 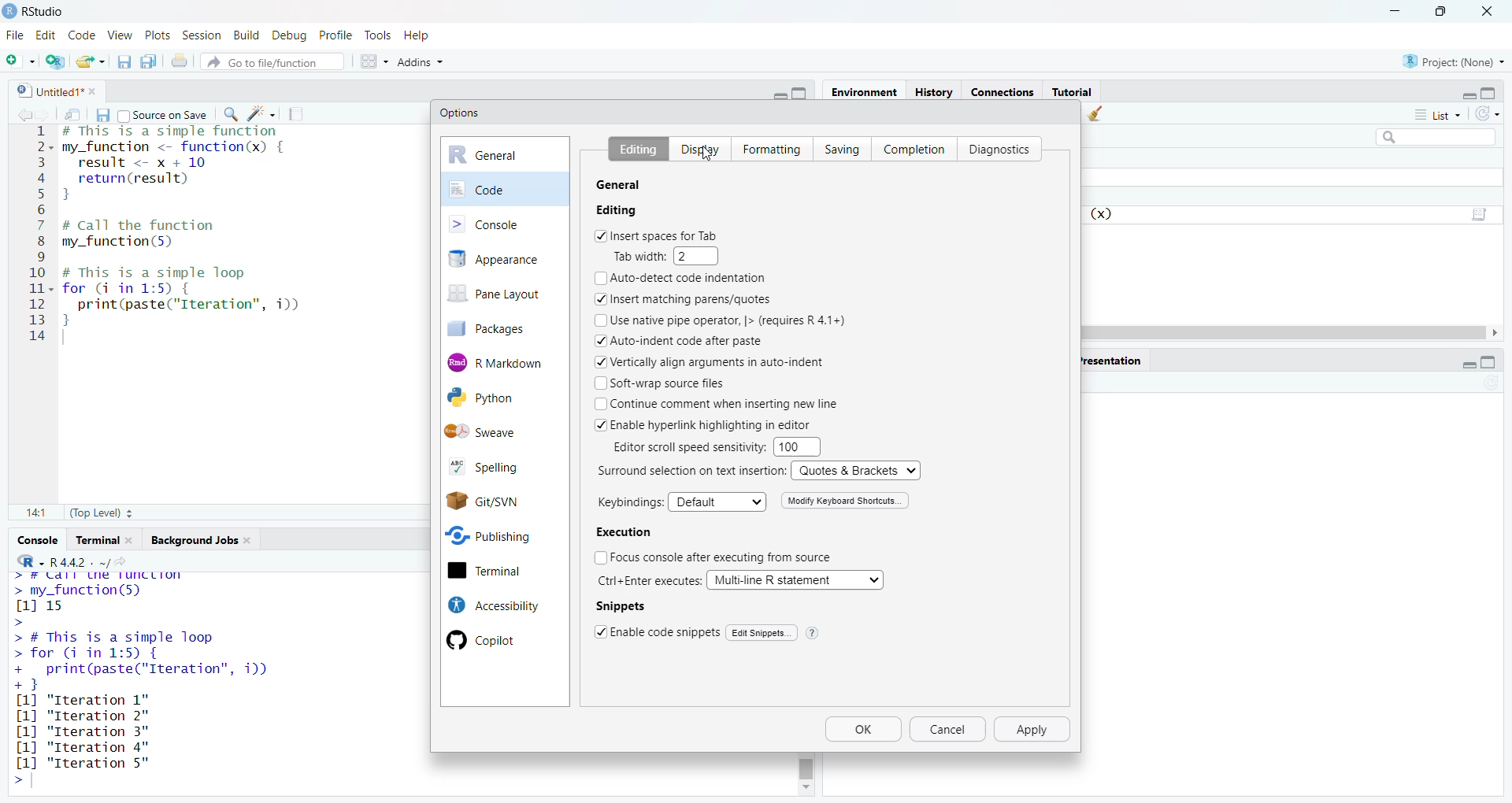 I want to click on Surround selection on text insertion: Quotes & Brackets, so click(x=758, y=472).